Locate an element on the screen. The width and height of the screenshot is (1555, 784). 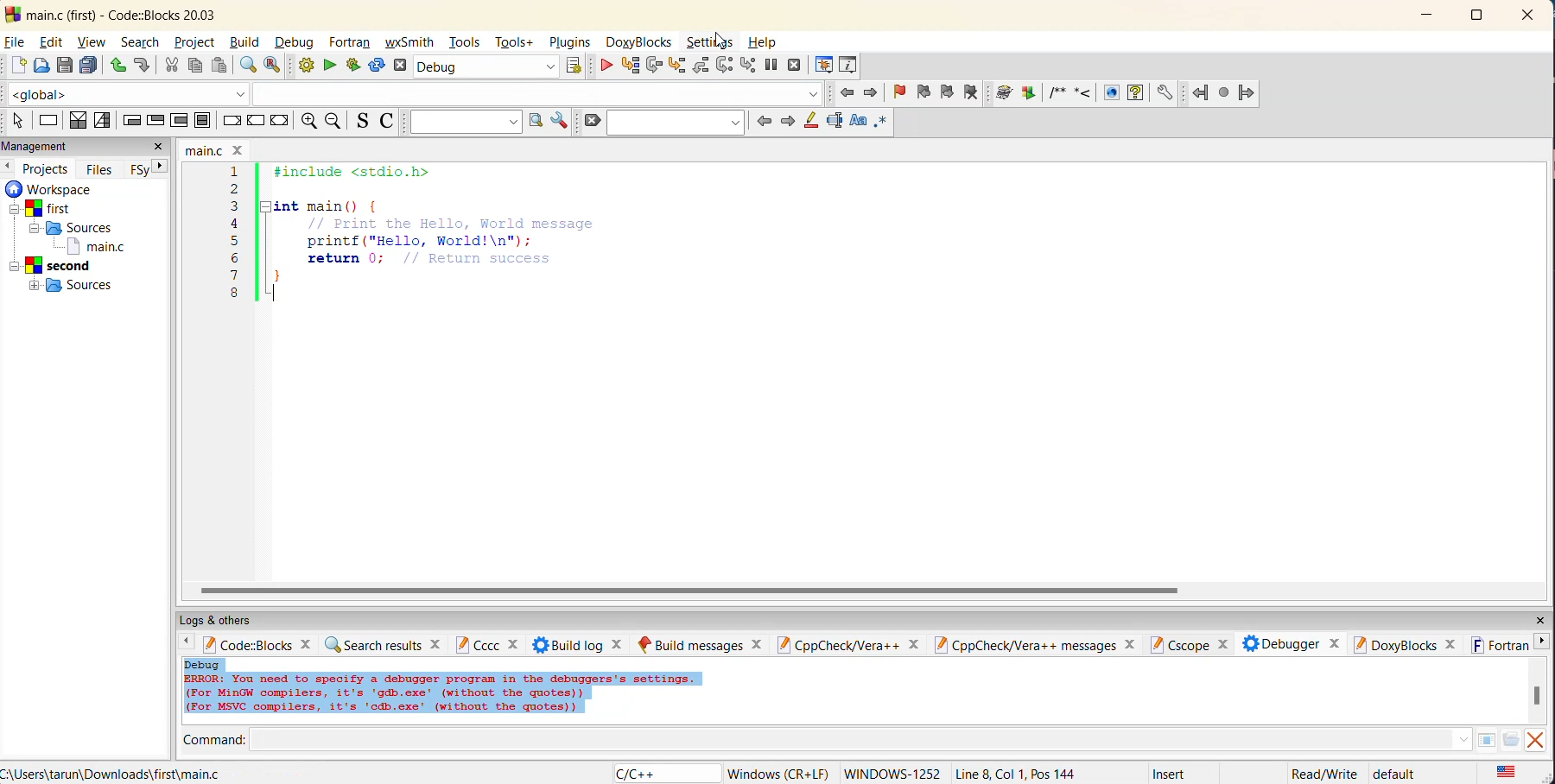
Insert line is located at coordinates (1081, 95).